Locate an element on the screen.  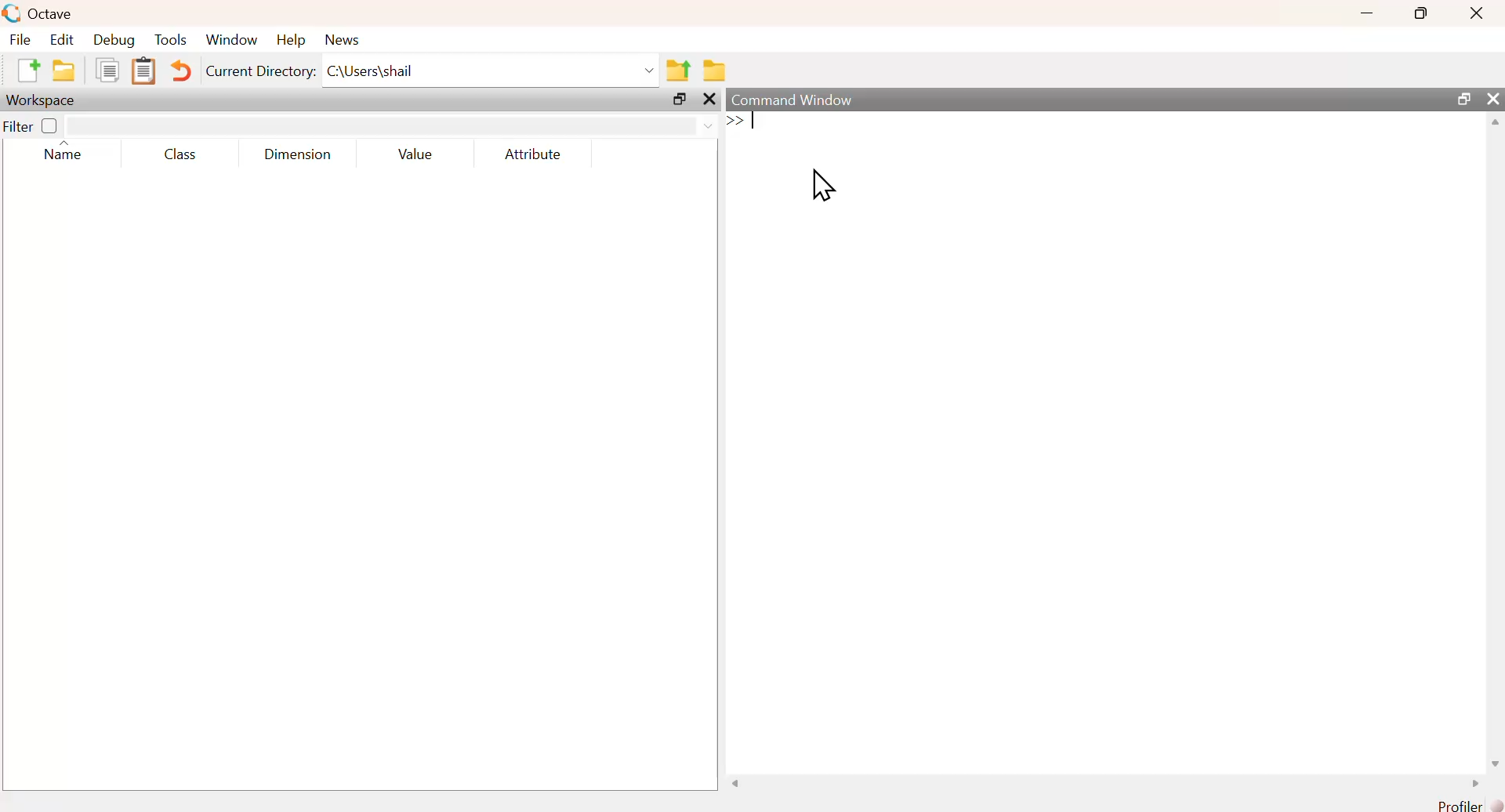
close is located at coordinates (1478, 13).